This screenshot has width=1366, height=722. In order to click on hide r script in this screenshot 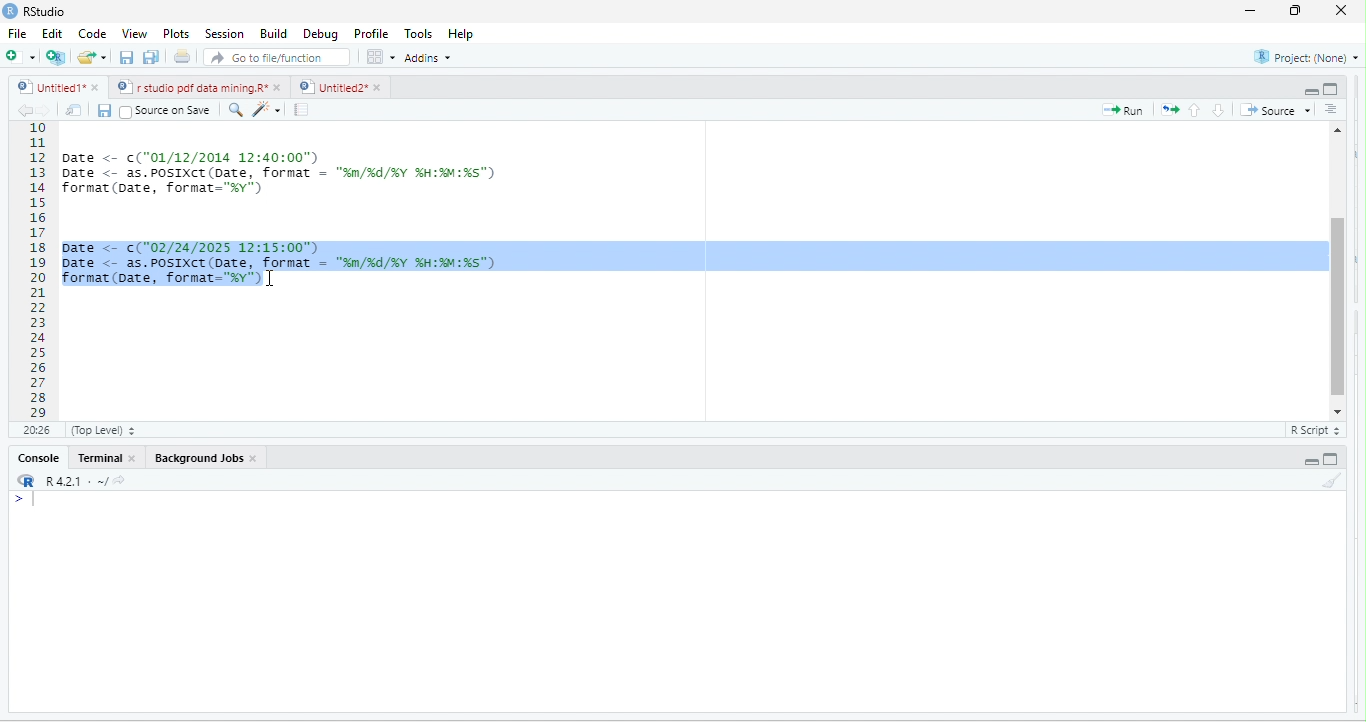, I will do `click(1308, 86)`.